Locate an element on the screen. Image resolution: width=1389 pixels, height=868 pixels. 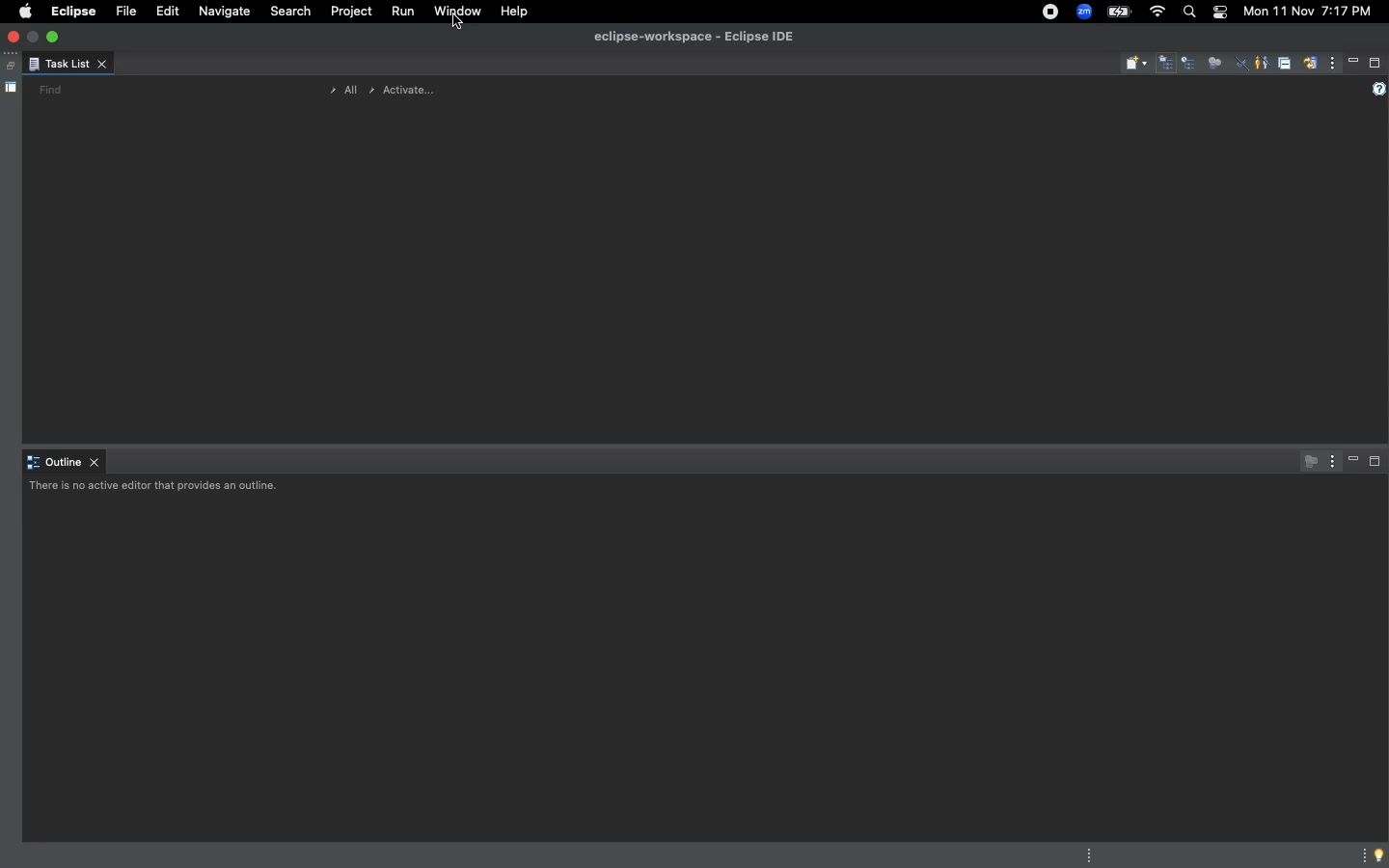
Tip of the day is located at coordinates (1380, 855).